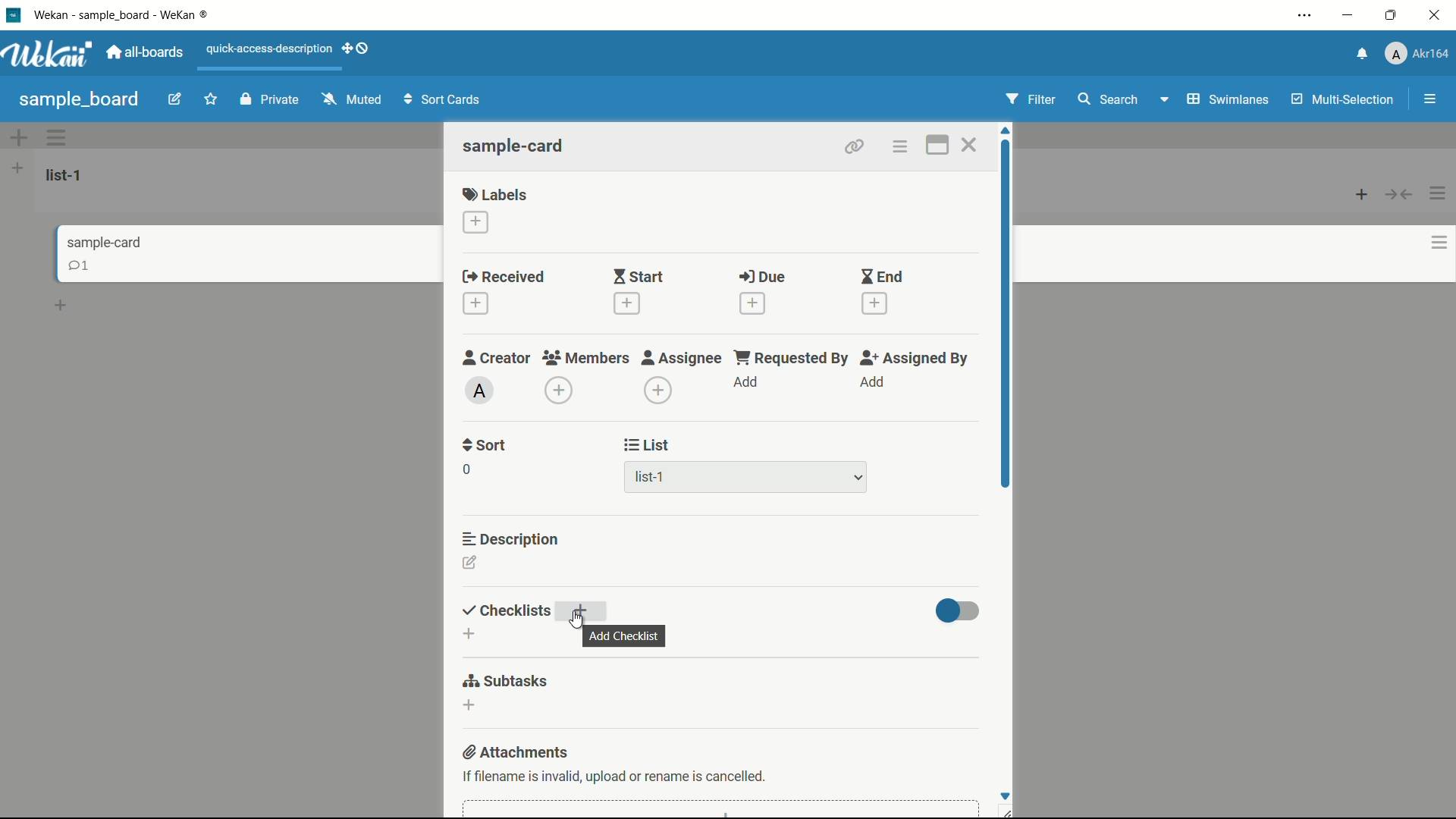  Describe the element at coordinates (494, 359) in the screenshot. I see `creator` at that location.